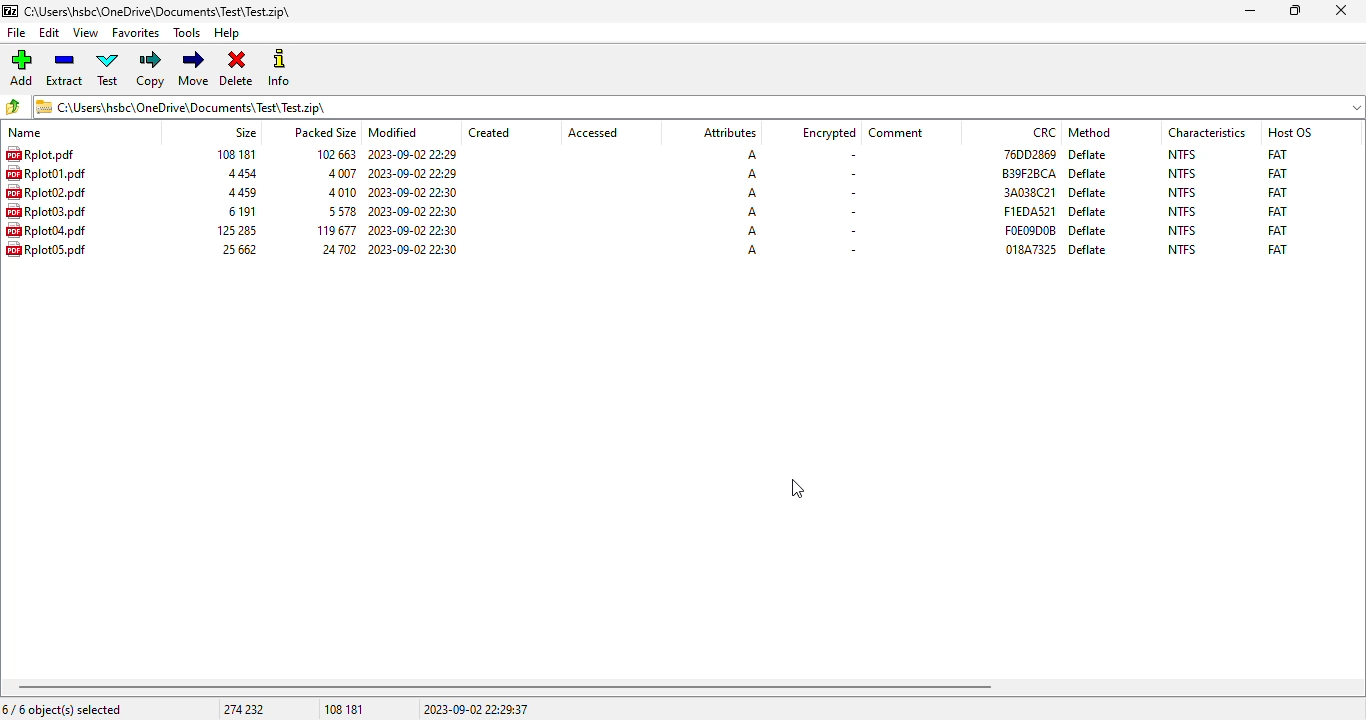 This screenshot has width=1366, height=720. I want to click on FAT, so click(1277, 230).